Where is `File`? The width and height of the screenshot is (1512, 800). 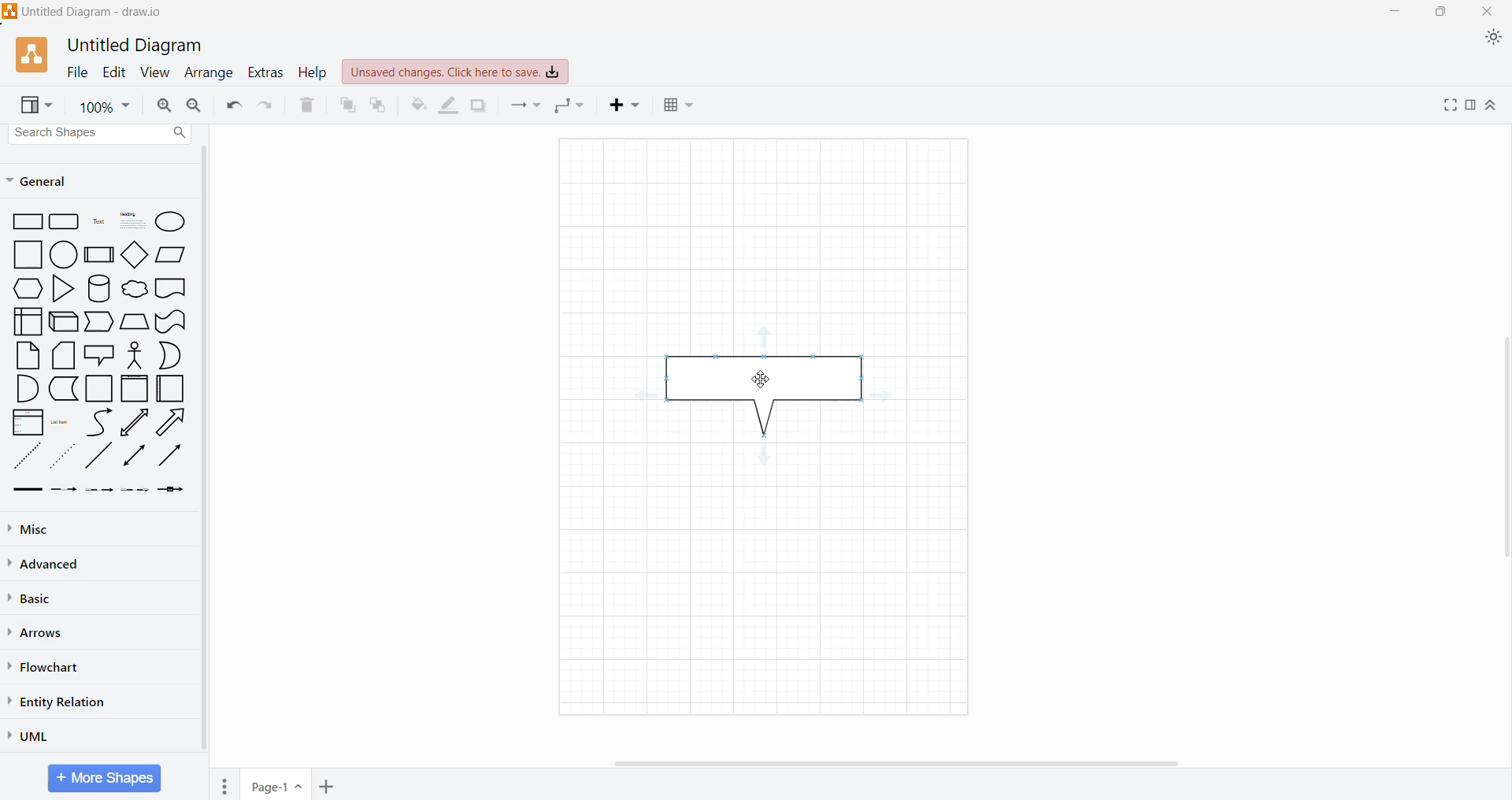 File is located at coordinates (77, 72).